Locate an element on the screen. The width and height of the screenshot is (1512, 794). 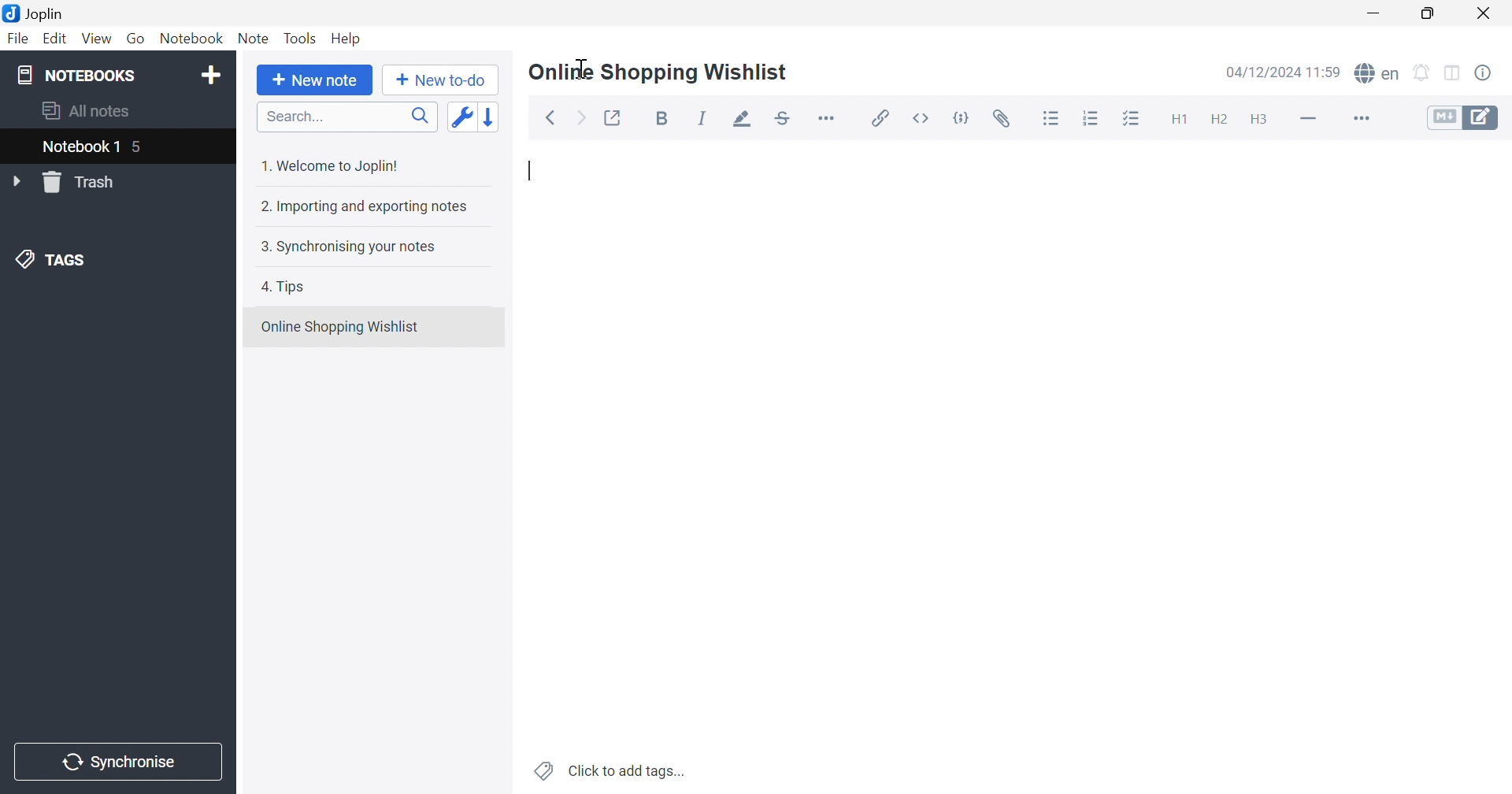
Heading 1 is located at coordinates (1182, 119).